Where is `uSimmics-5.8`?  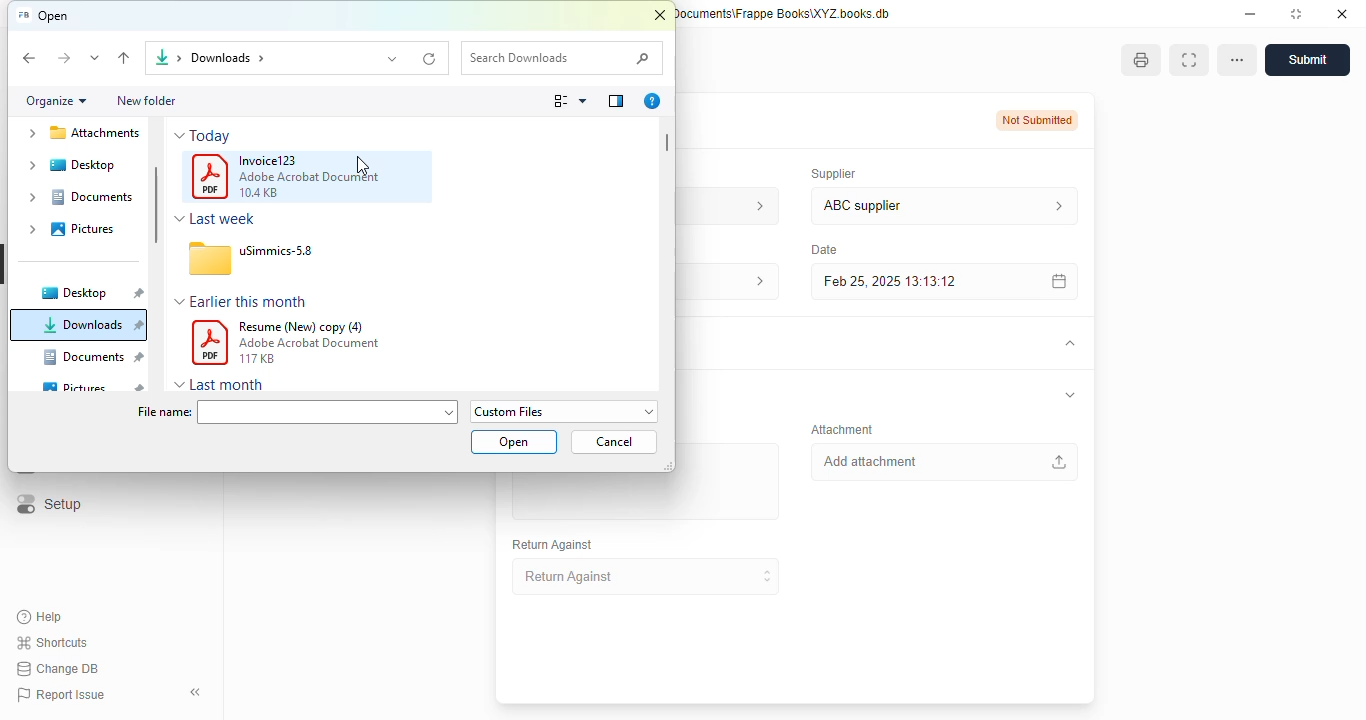 uSimmics-5.8 is located at coordinates (276, 250).